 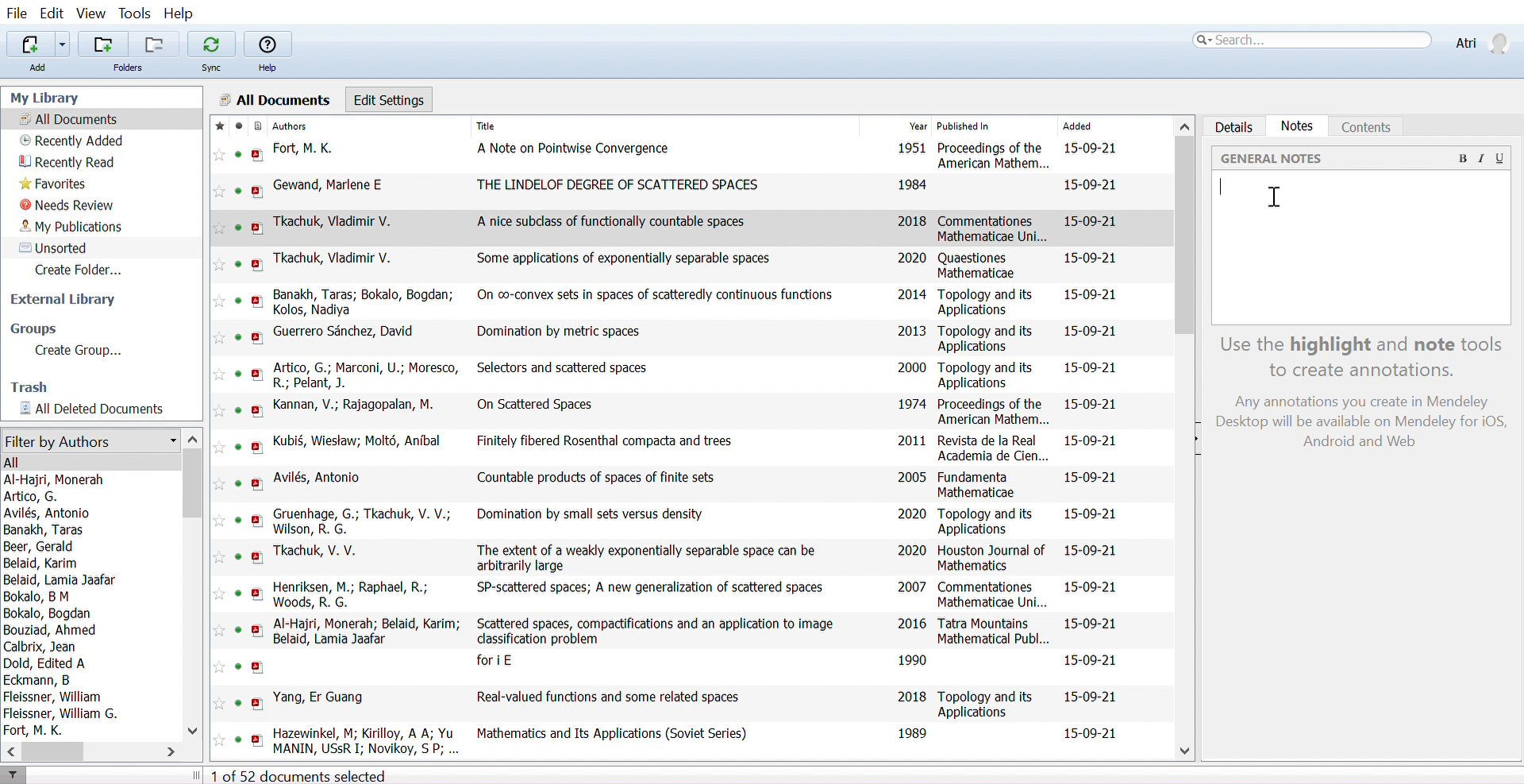 I want to click on open PDF, so click(x=258, y=740).